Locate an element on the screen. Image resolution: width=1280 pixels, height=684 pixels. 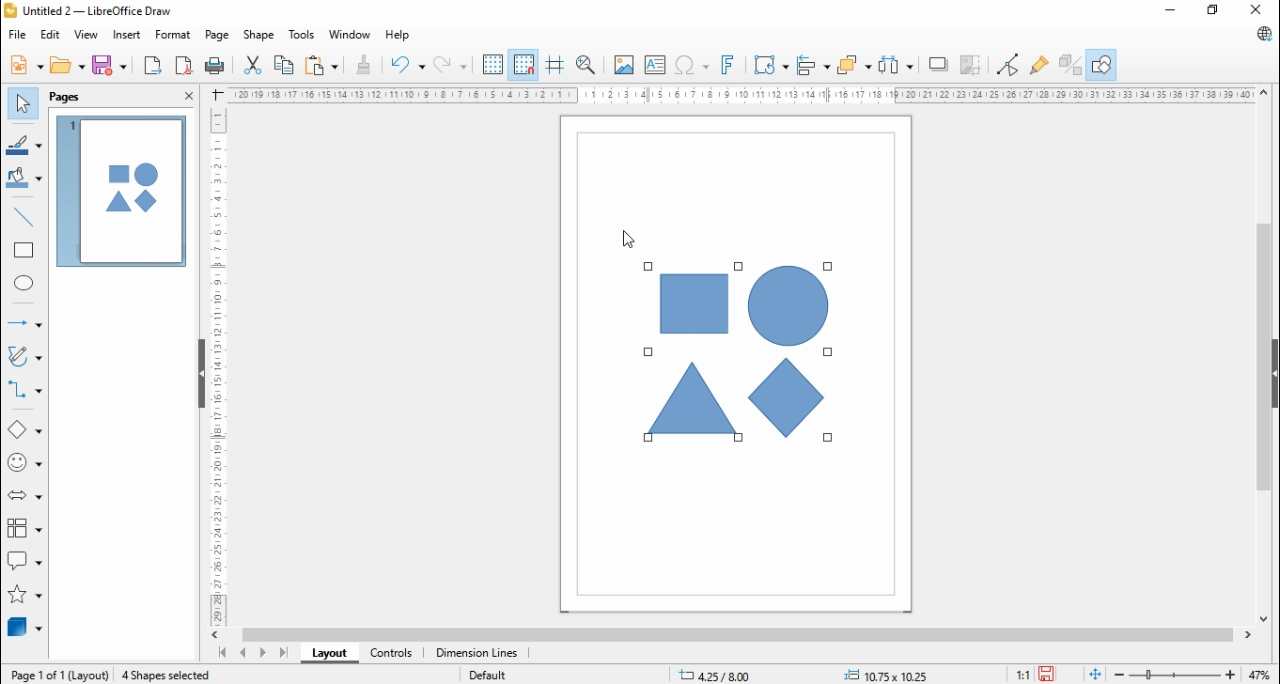
controls is located at coordinates (390, 654).